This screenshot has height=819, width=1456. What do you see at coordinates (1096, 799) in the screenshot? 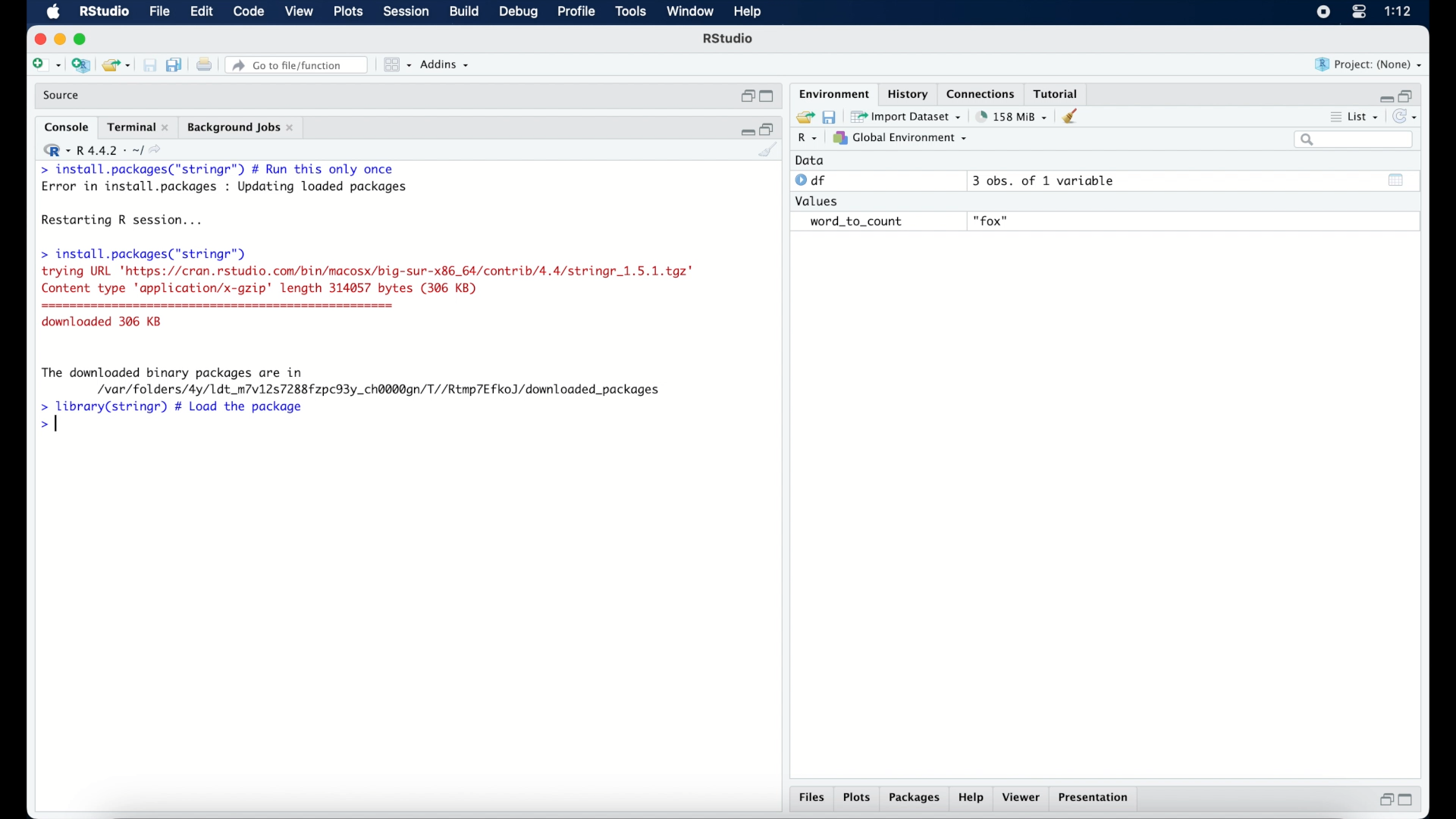
I see `presentation` at bounding box center [1096, 799].